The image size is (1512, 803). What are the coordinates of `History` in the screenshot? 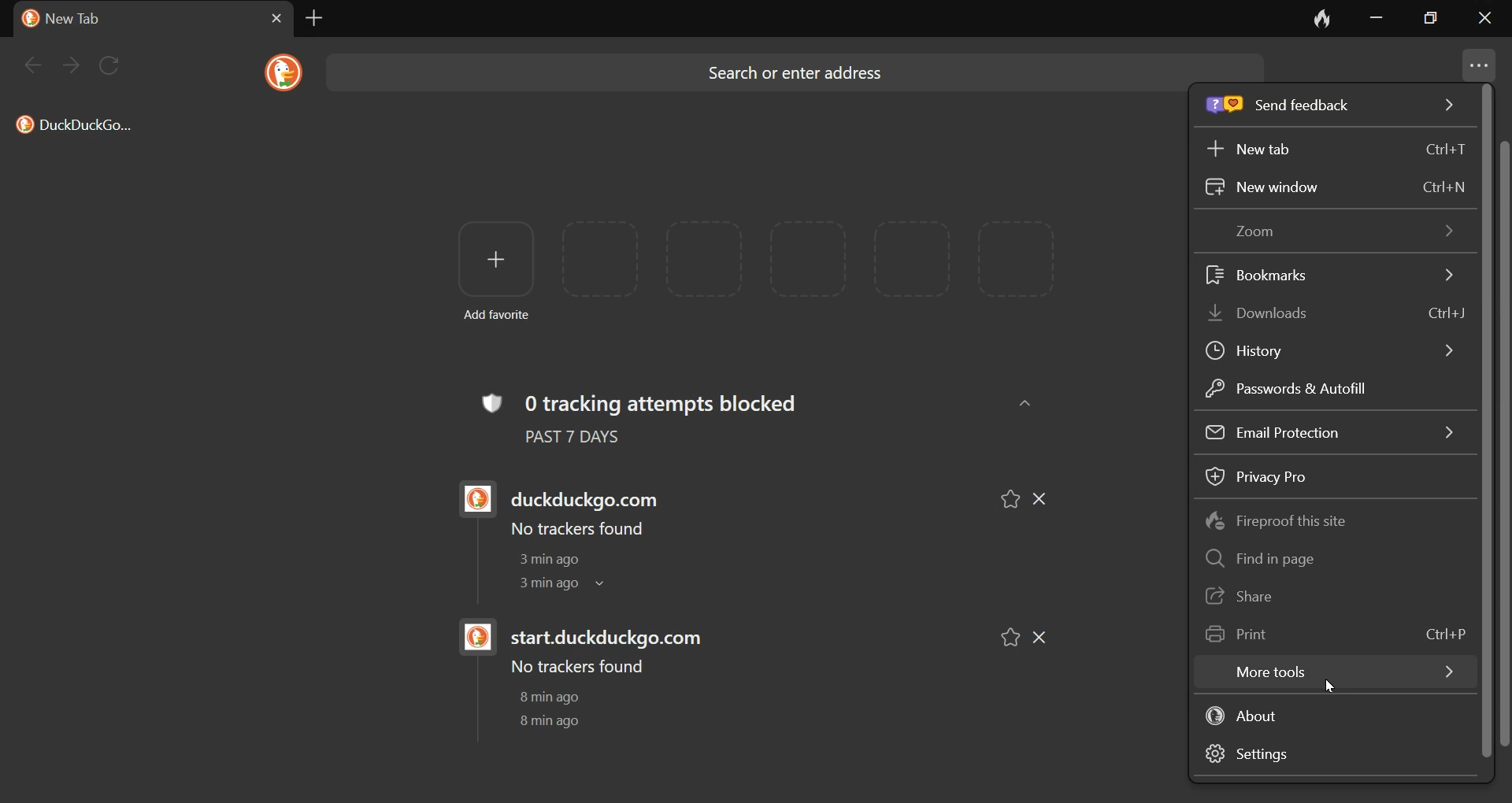 It's located at (1333, 347).